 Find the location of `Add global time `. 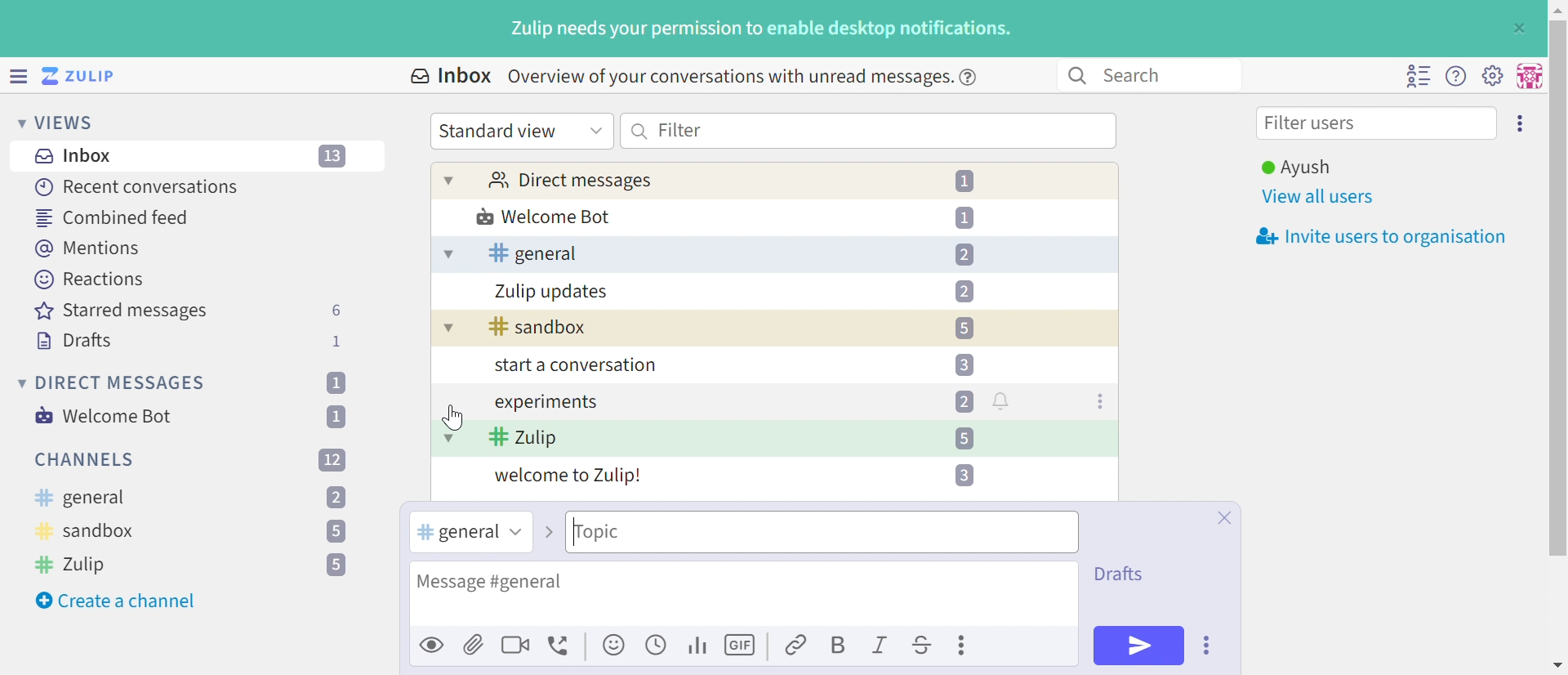

Add global time  is located at coordinates (659, 644).